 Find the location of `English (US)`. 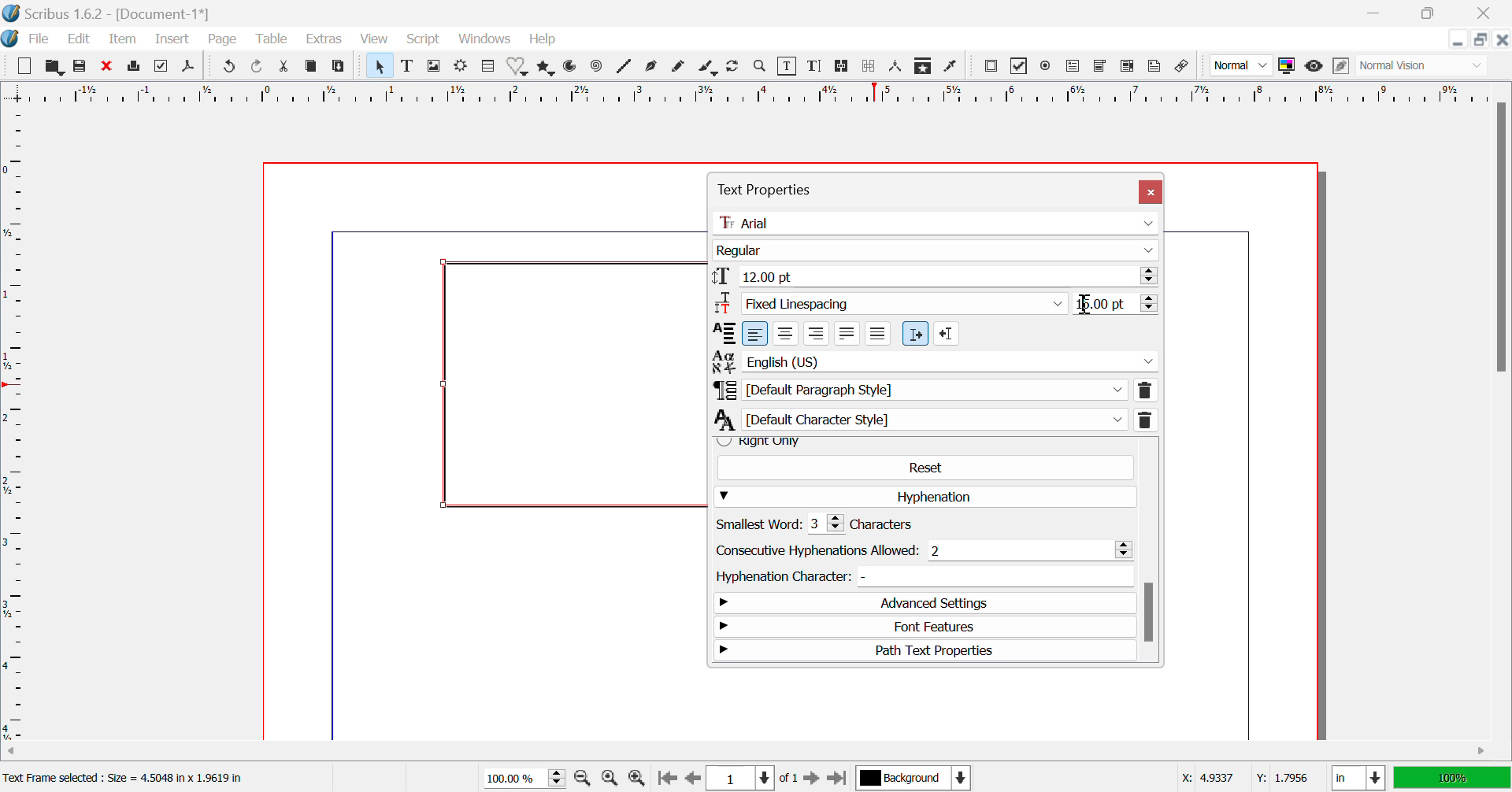

English (US) is located at coordinates (935, 361).